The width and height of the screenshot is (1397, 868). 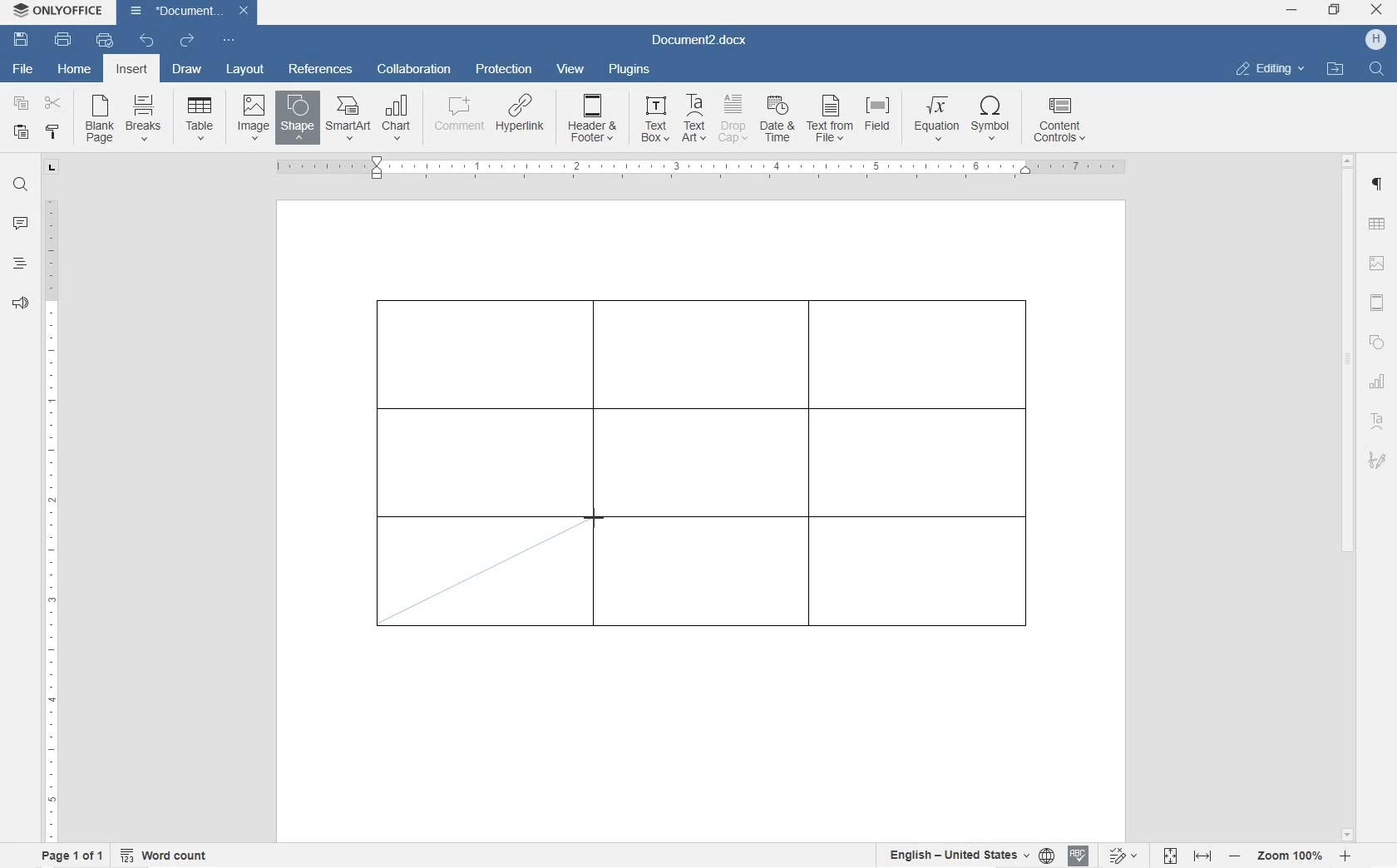 I want to click on Document3.docx, so click(x=189, y=12).